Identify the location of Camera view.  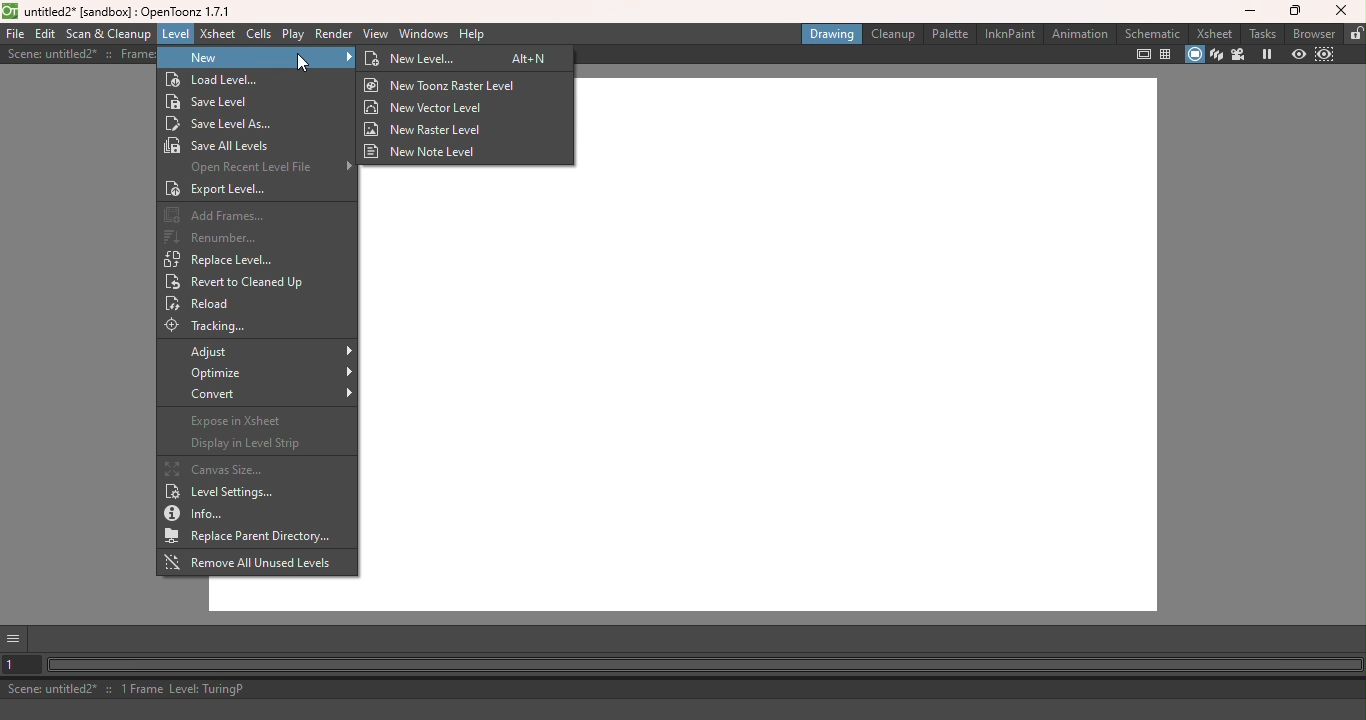
(1241, 55).